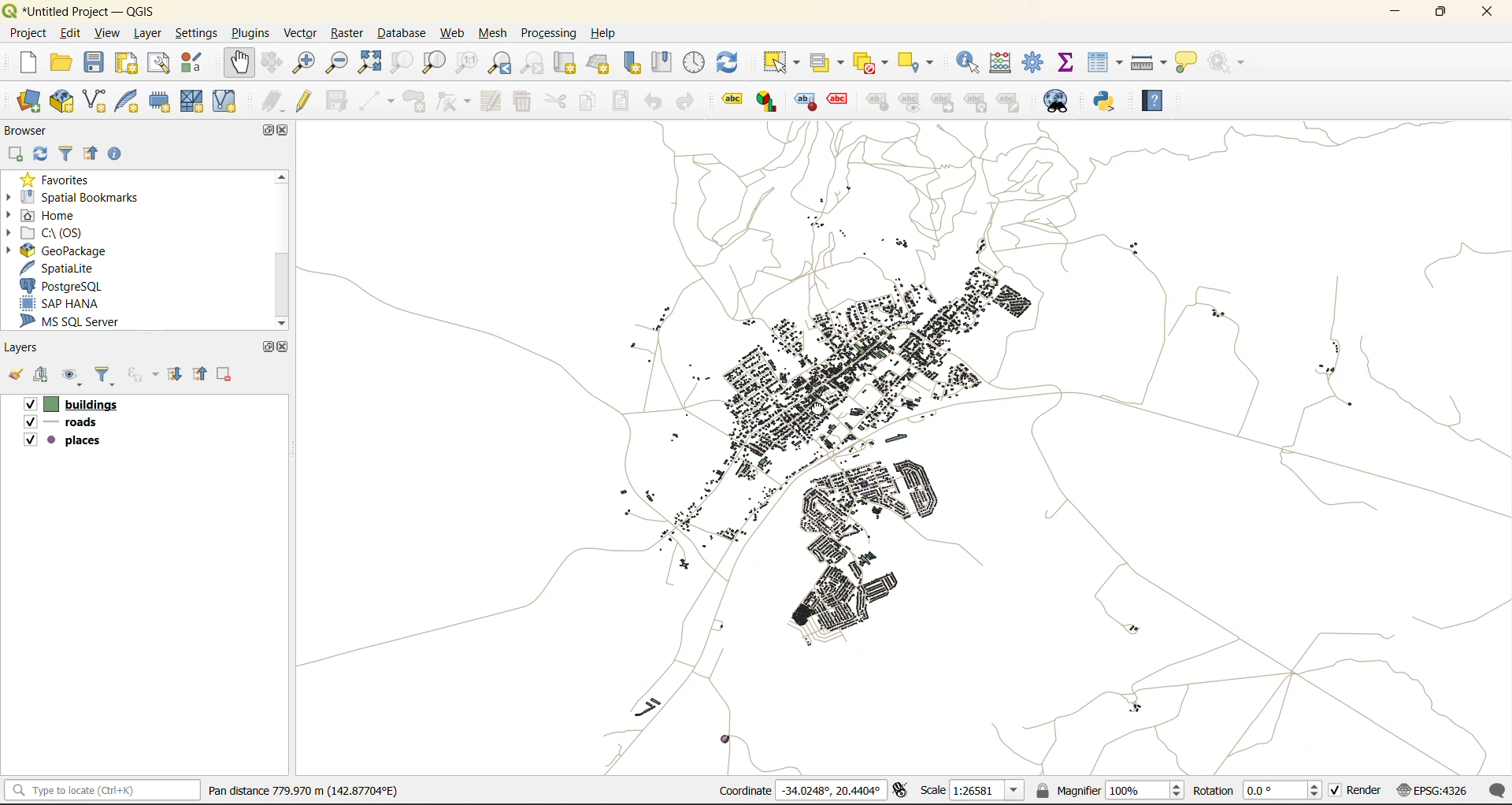 The image size is (1512, 805). I want to click on new mesh, so click(194, 101).